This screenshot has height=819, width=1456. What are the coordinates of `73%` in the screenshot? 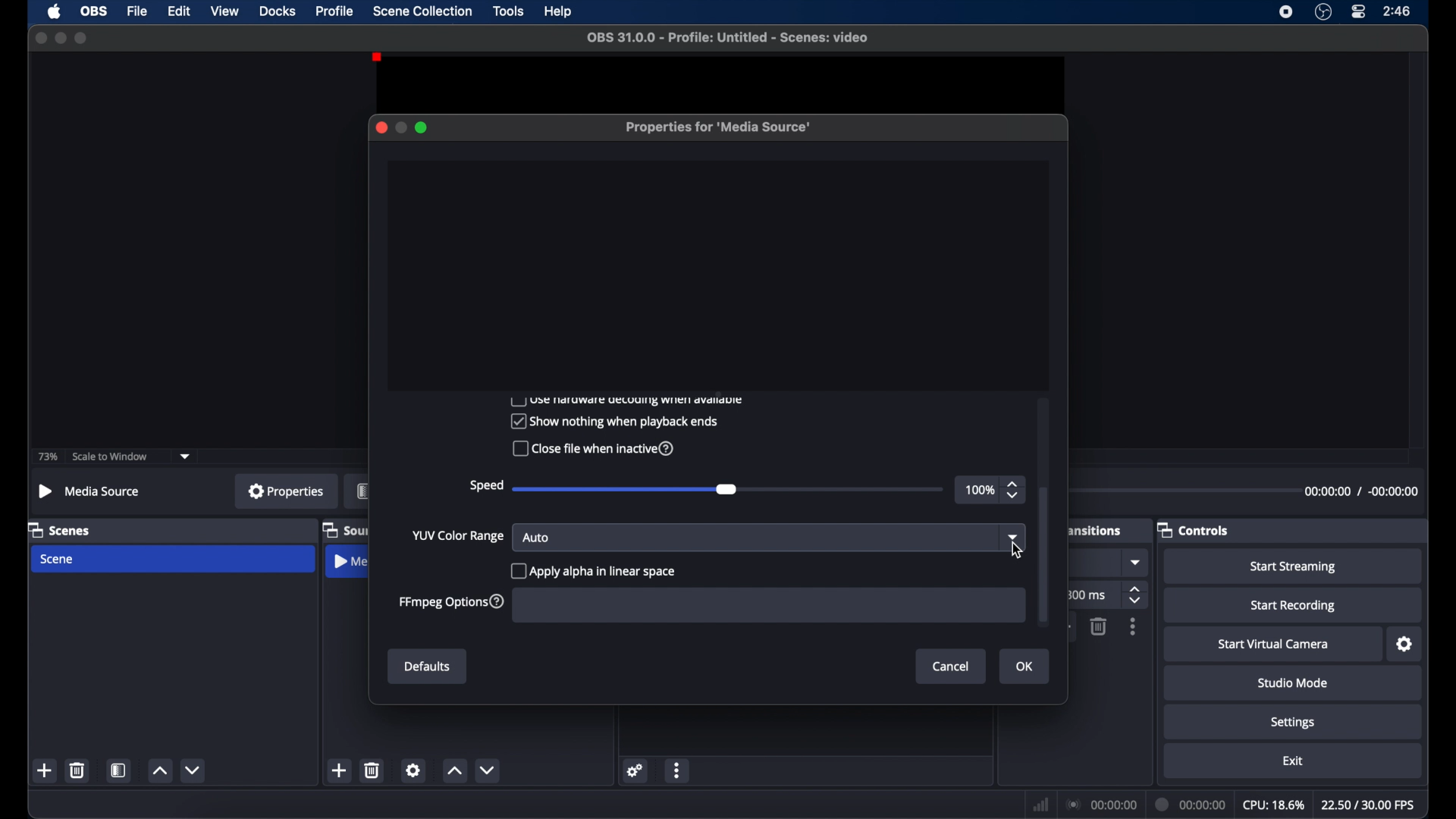 It's located at (46, 457).